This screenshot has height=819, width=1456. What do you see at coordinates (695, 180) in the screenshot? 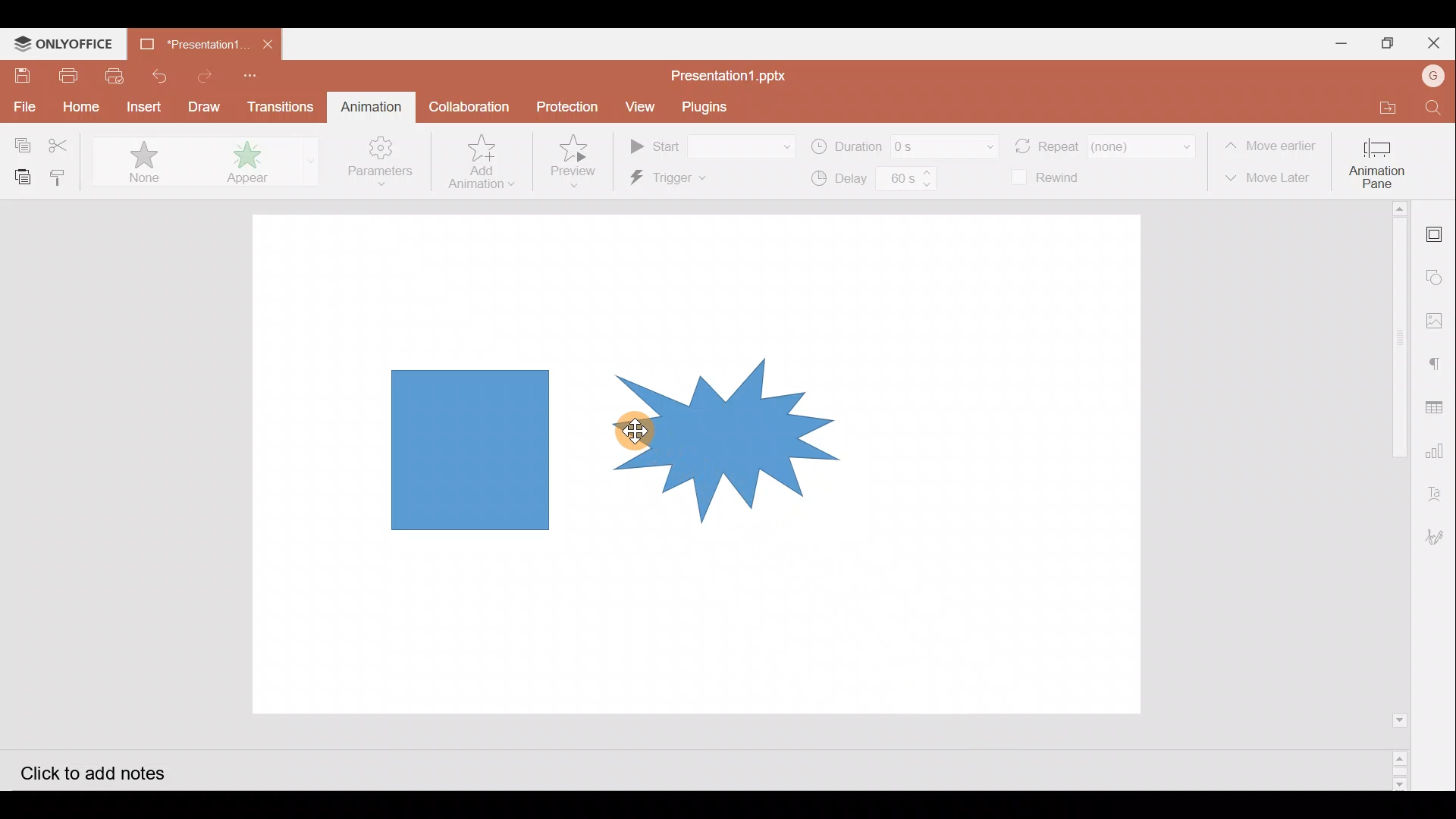
I see `Trigger` at bounding box center [695, 180].